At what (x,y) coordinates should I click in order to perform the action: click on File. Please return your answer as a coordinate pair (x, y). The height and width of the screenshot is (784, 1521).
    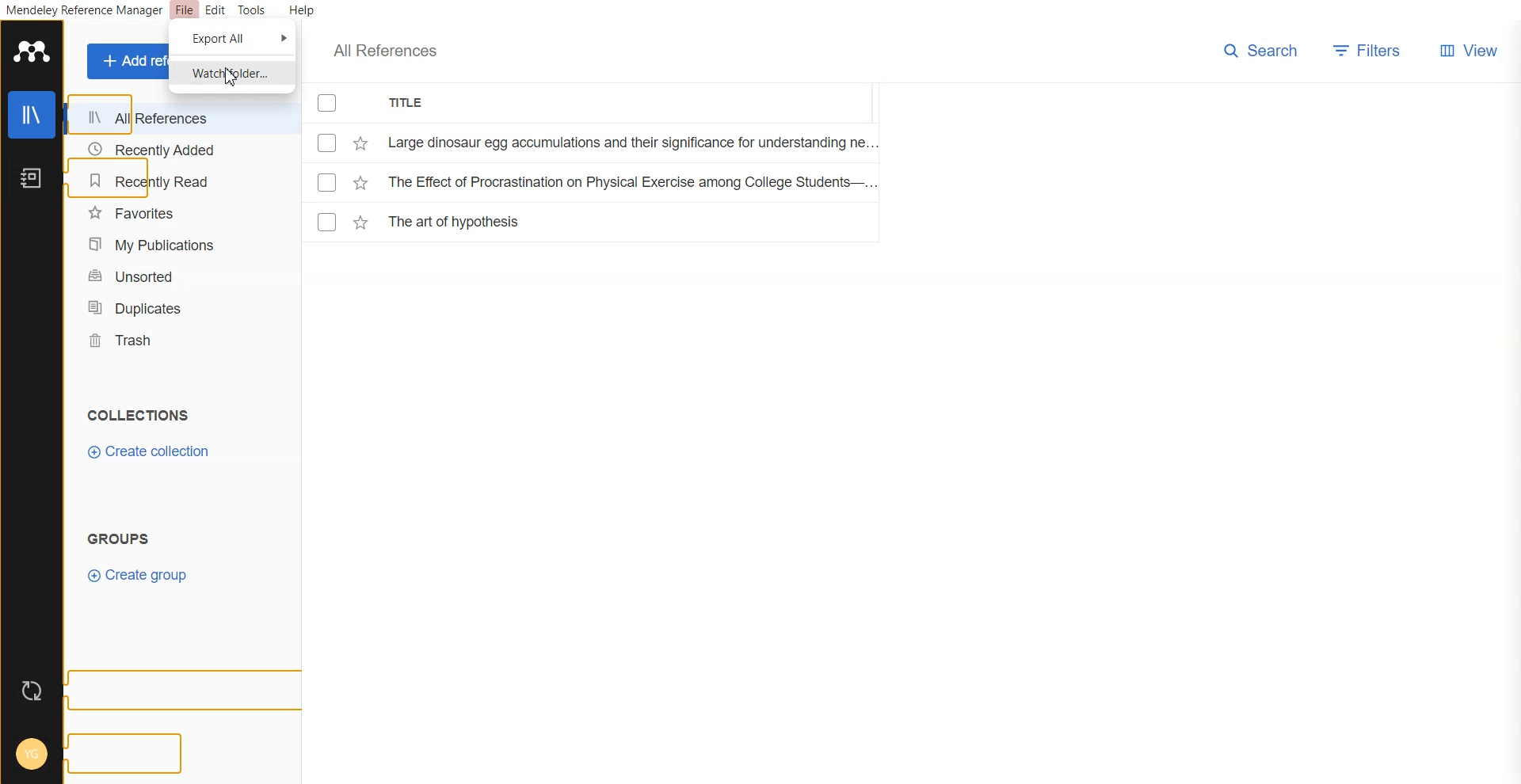
    Looking at the image, I should click on (597, 181).